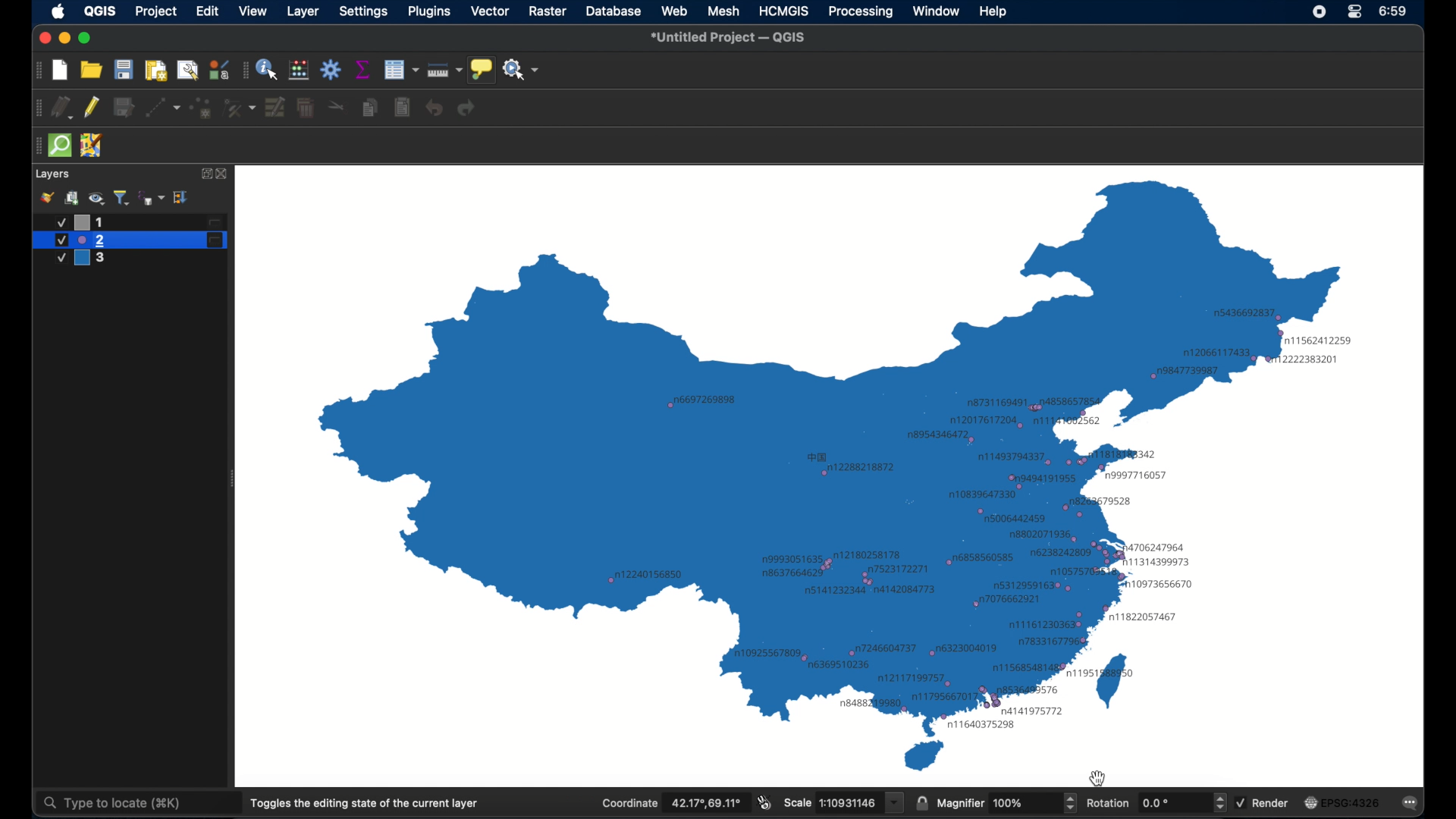  Describe the element at coordinates (124, 107) in the screenshot. I see `save edits` at that location.